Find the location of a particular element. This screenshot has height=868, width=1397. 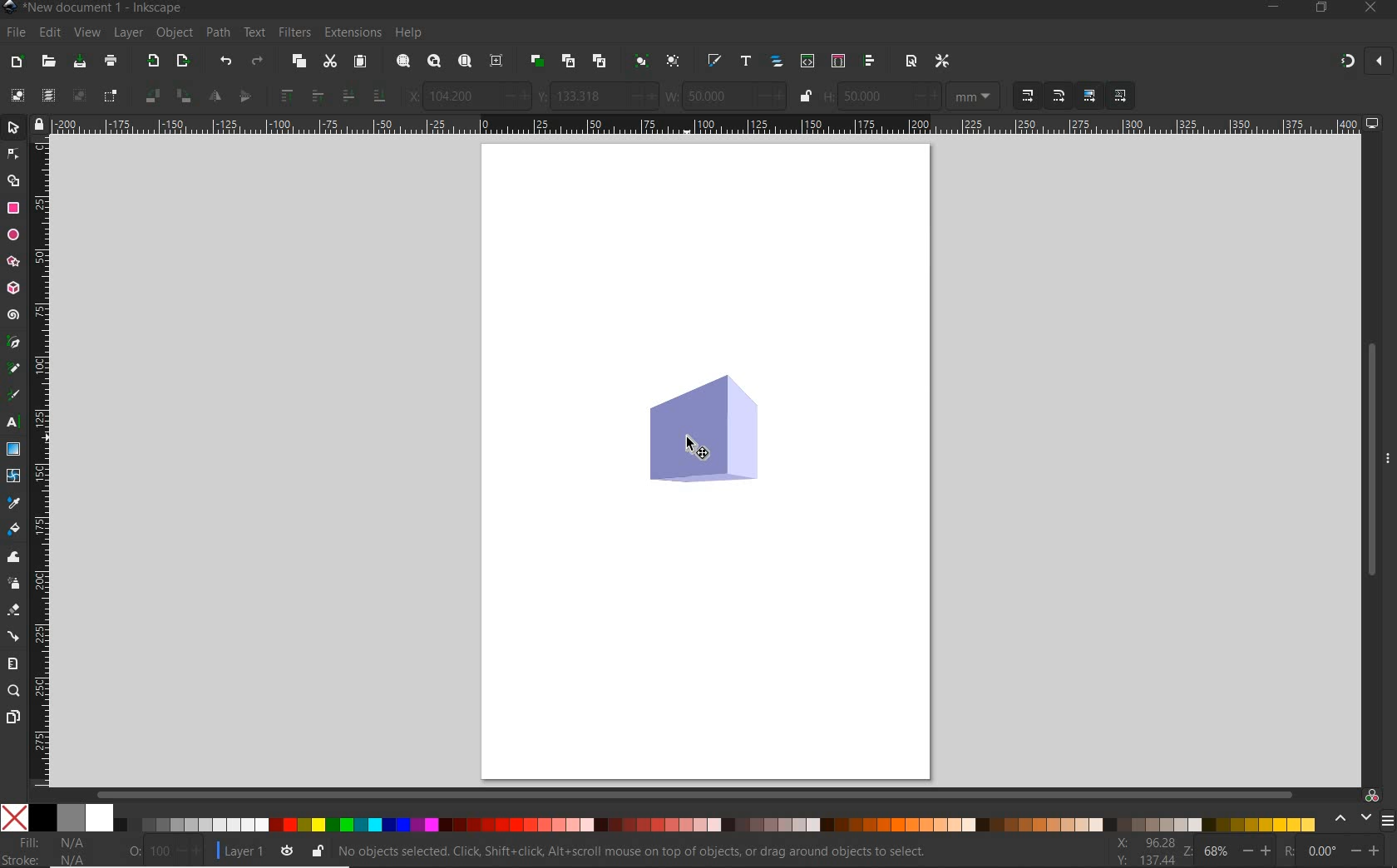

star tool is located at coordinates (13, 262).